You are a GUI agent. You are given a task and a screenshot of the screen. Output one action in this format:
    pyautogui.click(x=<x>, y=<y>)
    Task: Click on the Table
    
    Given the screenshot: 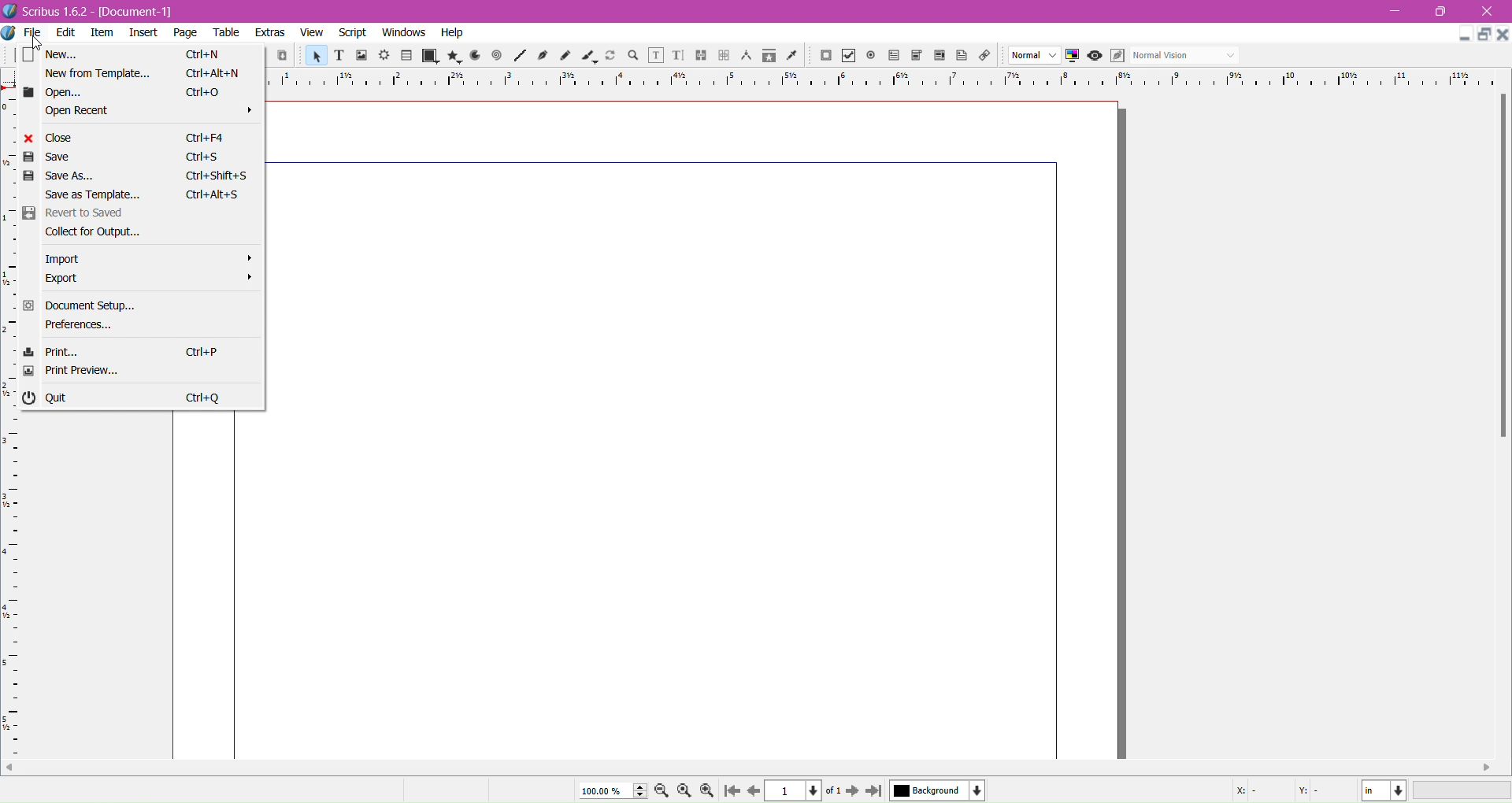 What is the action you would take?
    pyautogui.click(x=406, y=56)
    